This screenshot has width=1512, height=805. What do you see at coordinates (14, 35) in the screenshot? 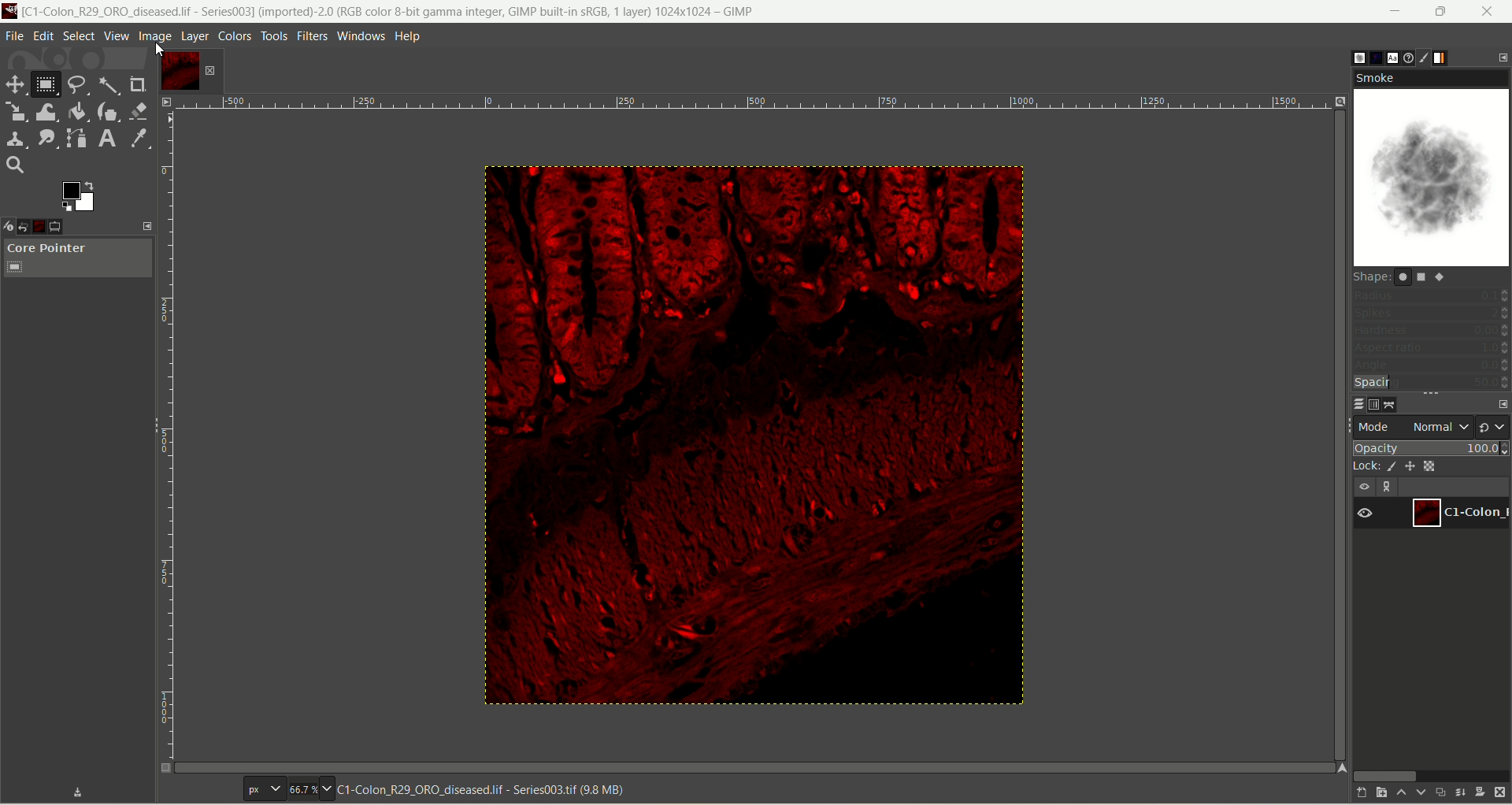
I see `file` at bounding box center [14, 35].